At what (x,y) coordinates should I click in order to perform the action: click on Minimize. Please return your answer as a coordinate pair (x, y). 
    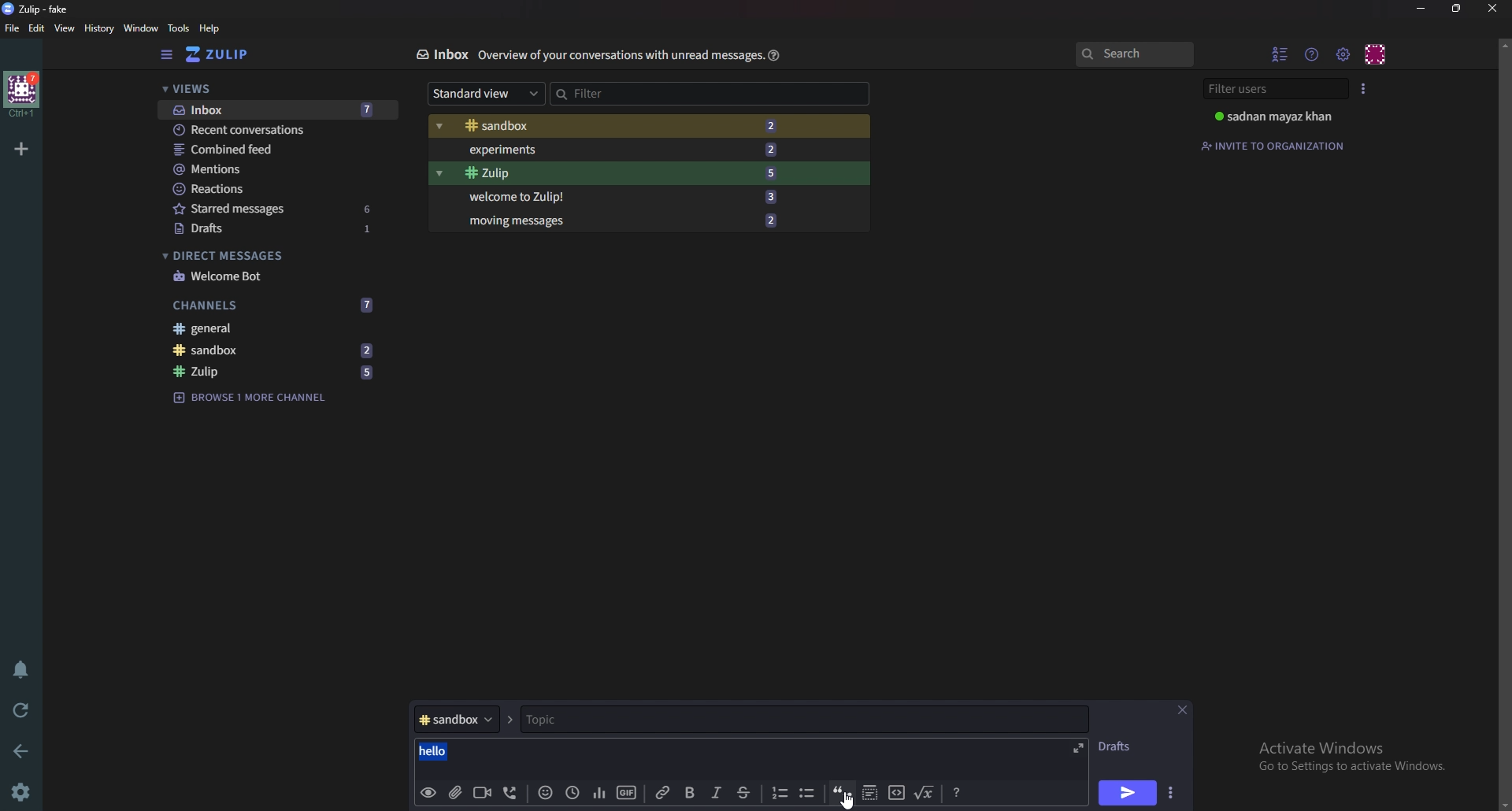
    Looking at the image, I should click on (1421, 9).